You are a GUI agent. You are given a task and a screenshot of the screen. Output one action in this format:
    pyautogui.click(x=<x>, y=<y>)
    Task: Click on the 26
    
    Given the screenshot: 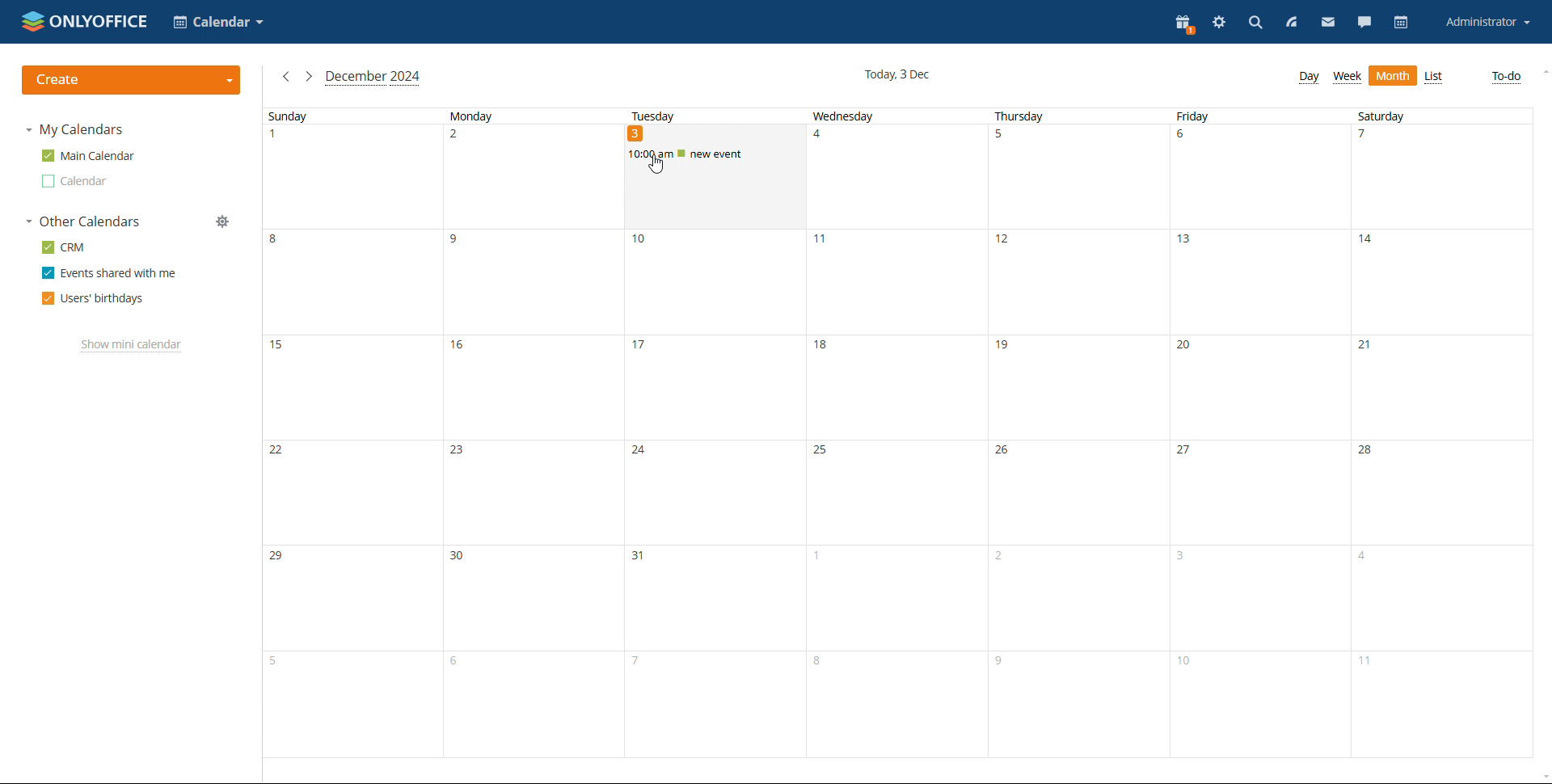 What is the action you would take?
    pyautogui.click(x=1078, y=493)
    